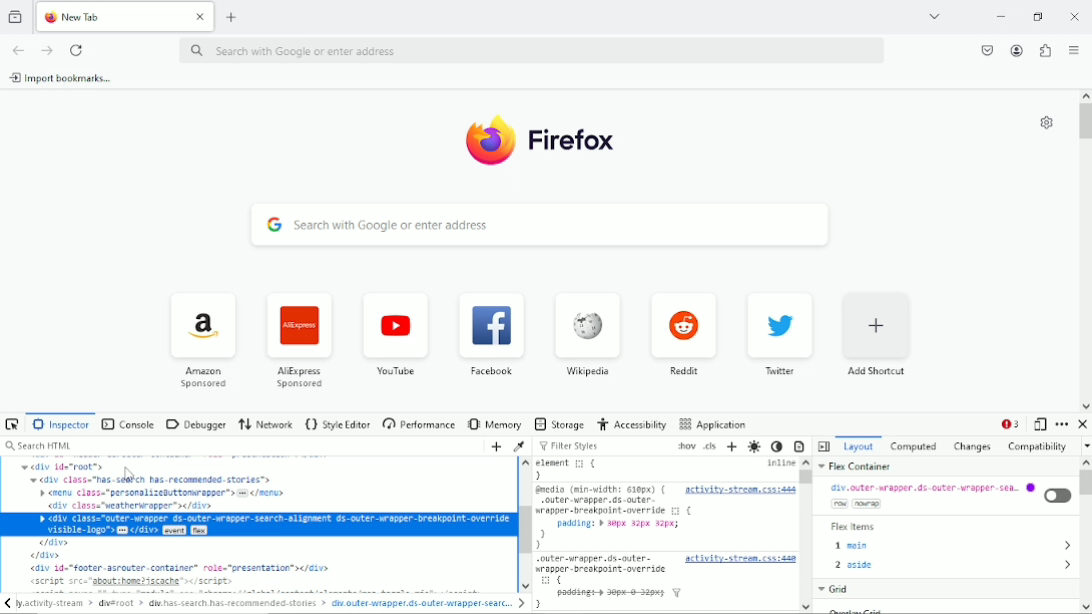 The width and height of the screenshot is (1092, 614). Describe the element at coordinates (129, 582) in the screenshot. I see `<script src =  "about:home?iscache"></script>` at that location.